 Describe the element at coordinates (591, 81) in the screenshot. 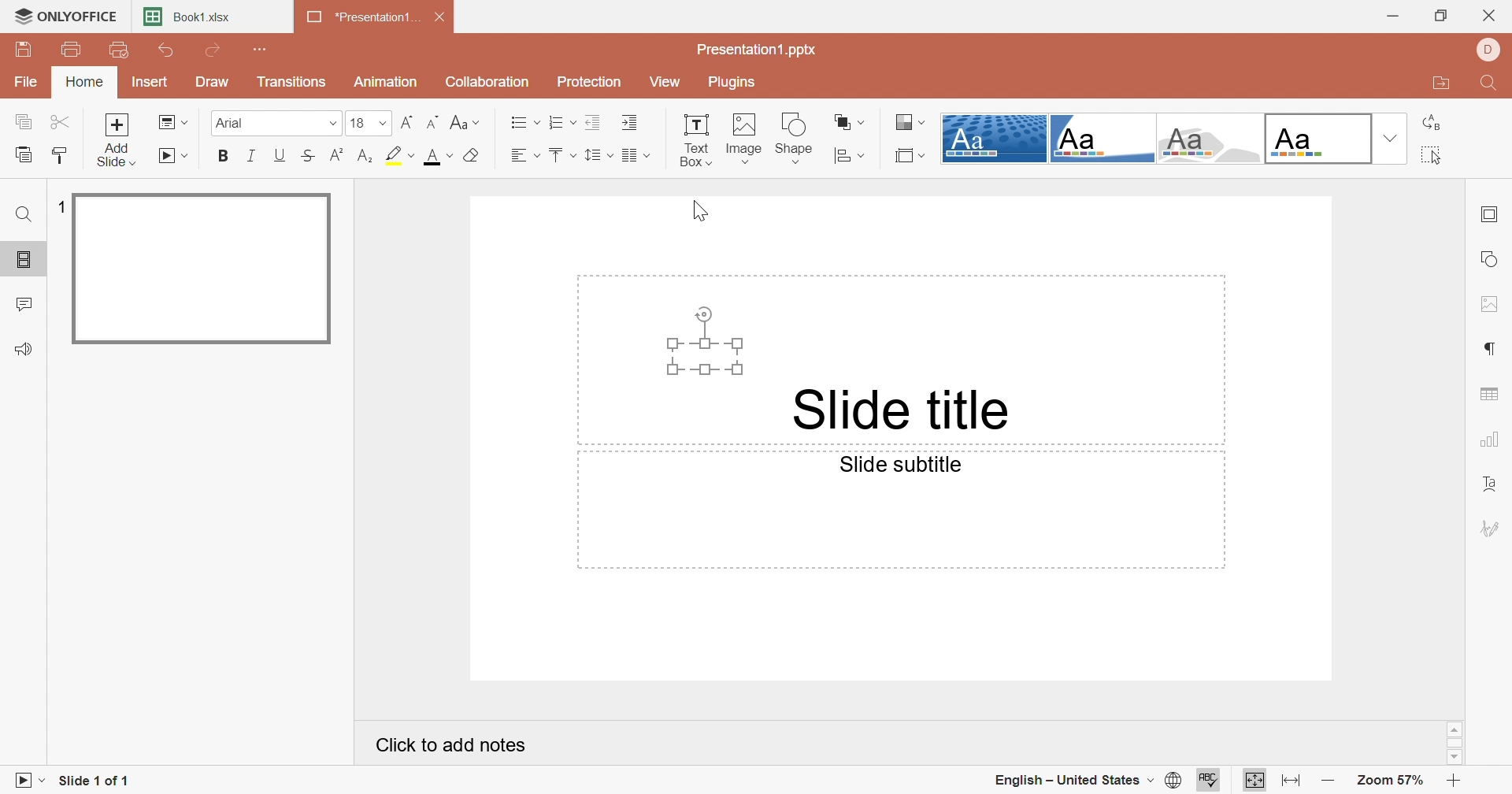

I see `Protection` at that location.